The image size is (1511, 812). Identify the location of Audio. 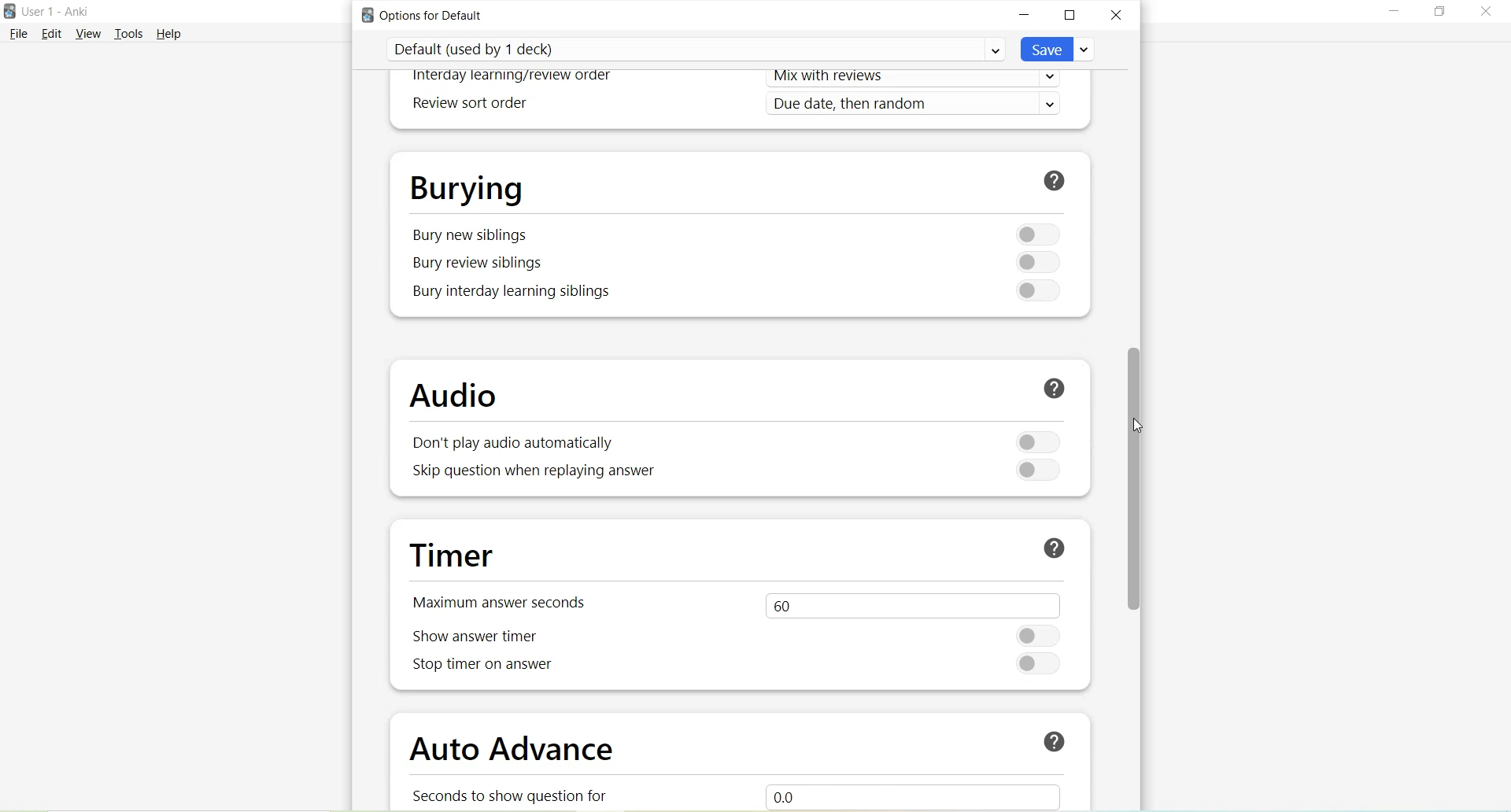
(461, 397).